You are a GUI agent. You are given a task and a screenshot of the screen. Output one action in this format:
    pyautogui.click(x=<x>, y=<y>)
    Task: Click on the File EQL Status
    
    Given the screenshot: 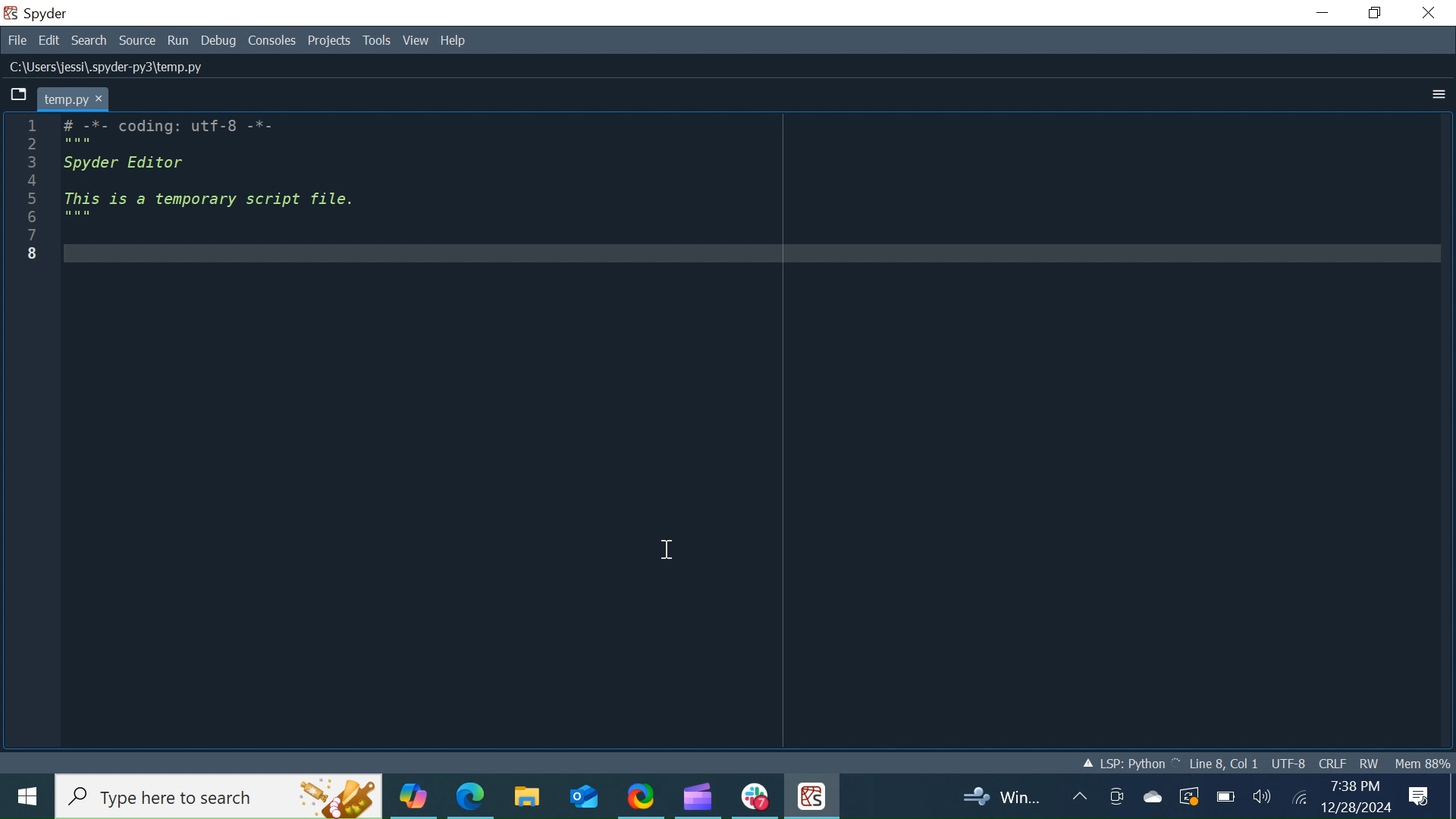 What is the action you would take?
    pyautogui.click(x=1329, y=761)
    